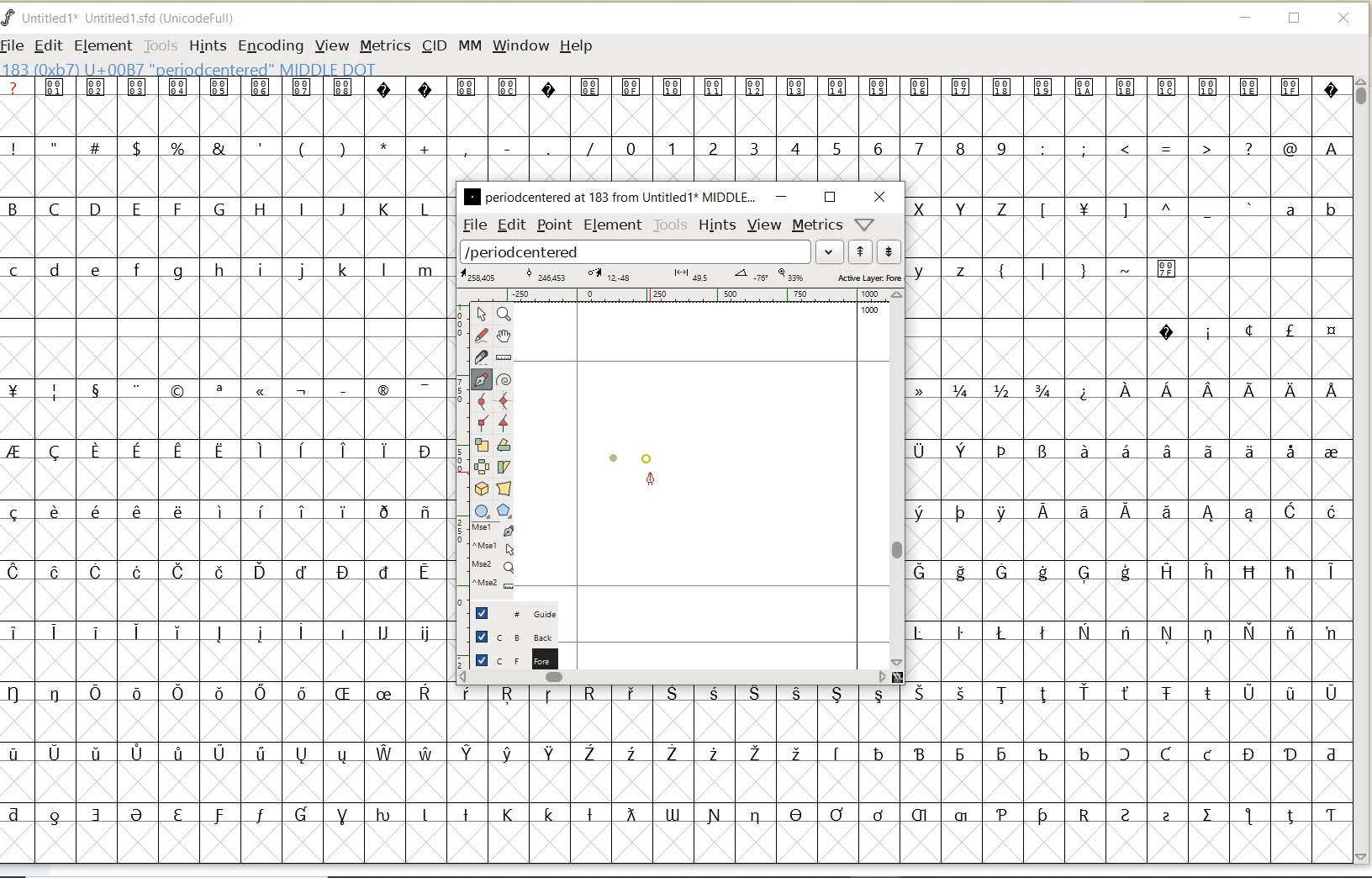 This screenshot has height=878, width=1372. Describe the element at coordinates (879, 197) in the screenshot. I see `close` at that location.